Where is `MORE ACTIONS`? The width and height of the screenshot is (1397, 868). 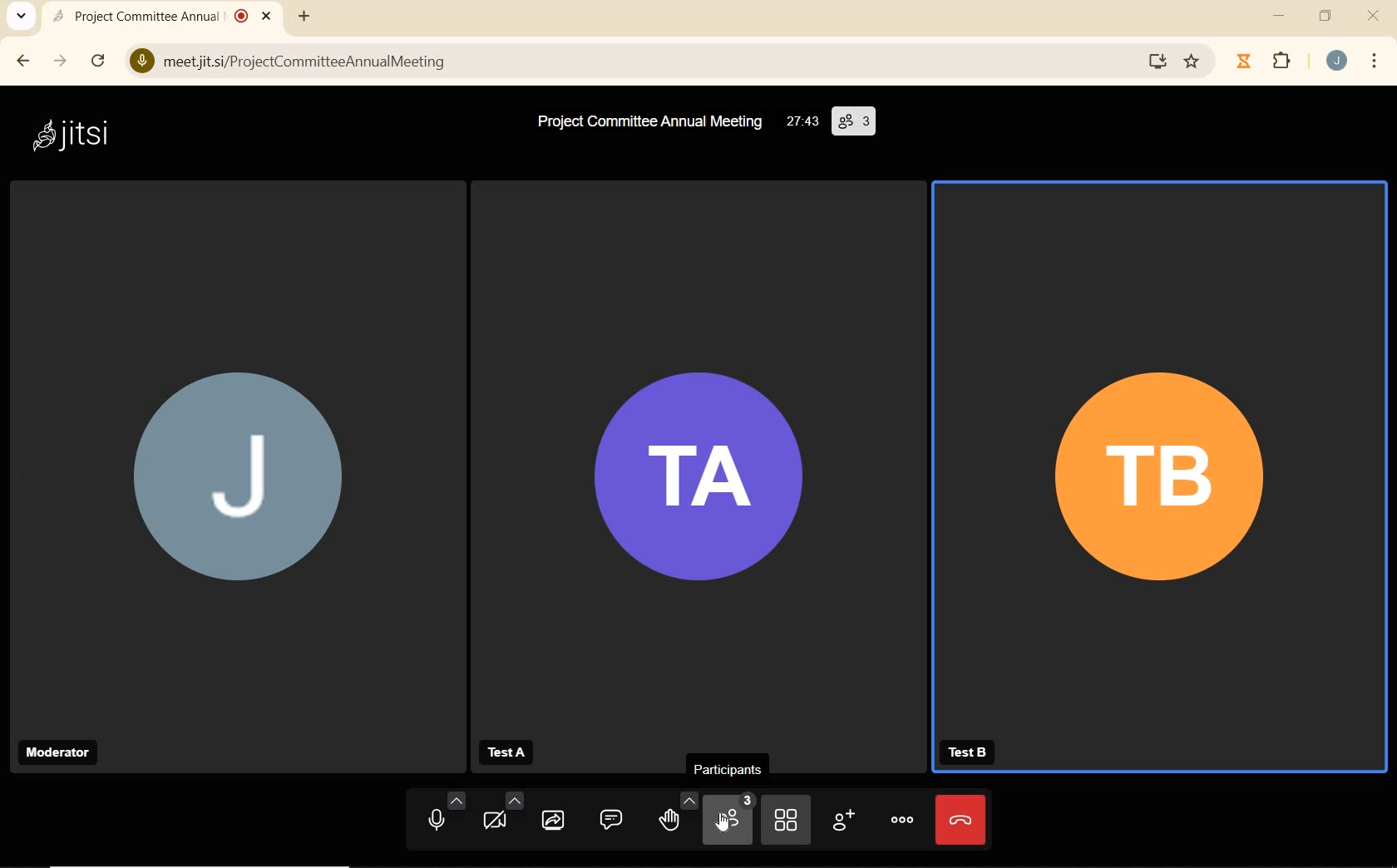
MORE ACTIONS is located at coordinates (901, 819).